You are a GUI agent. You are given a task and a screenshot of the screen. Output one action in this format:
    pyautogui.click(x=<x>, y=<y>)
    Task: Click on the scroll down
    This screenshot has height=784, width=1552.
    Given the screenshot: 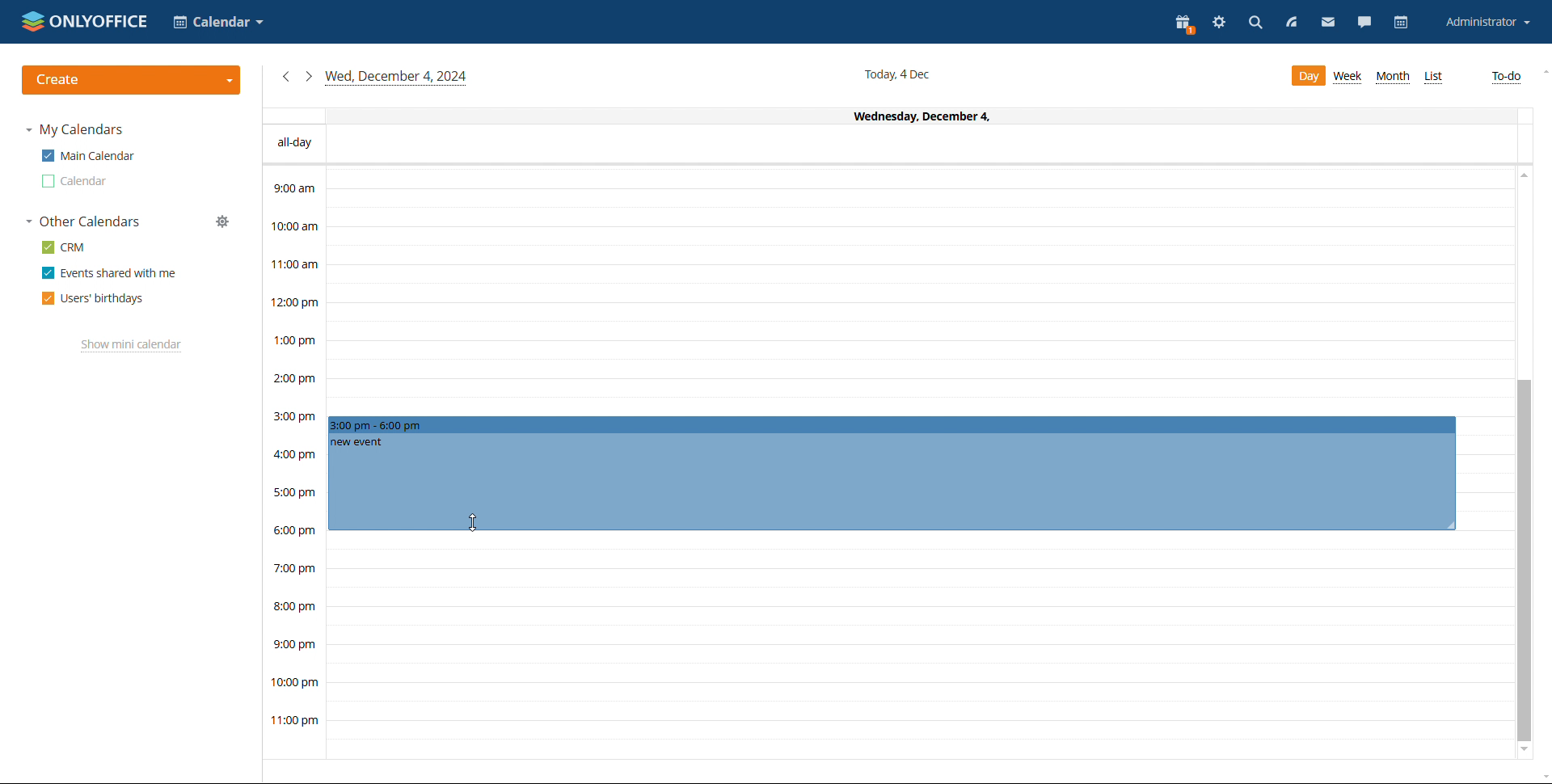 What is the action you would take?
    pyautogui.click(x=1542, y=775)
    